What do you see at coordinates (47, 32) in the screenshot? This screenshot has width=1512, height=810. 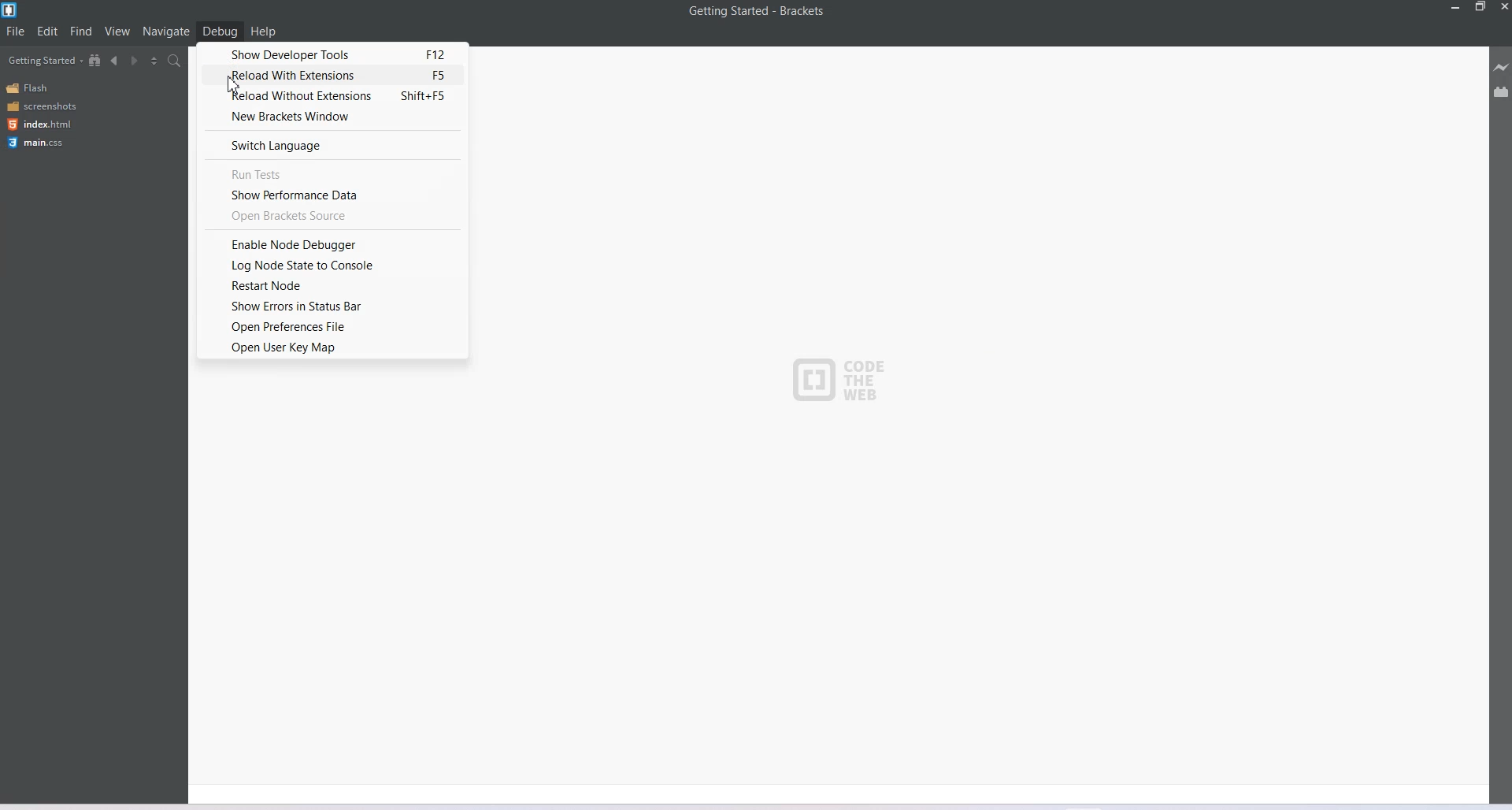 I see `Edit` at bounding box center [47, 32].